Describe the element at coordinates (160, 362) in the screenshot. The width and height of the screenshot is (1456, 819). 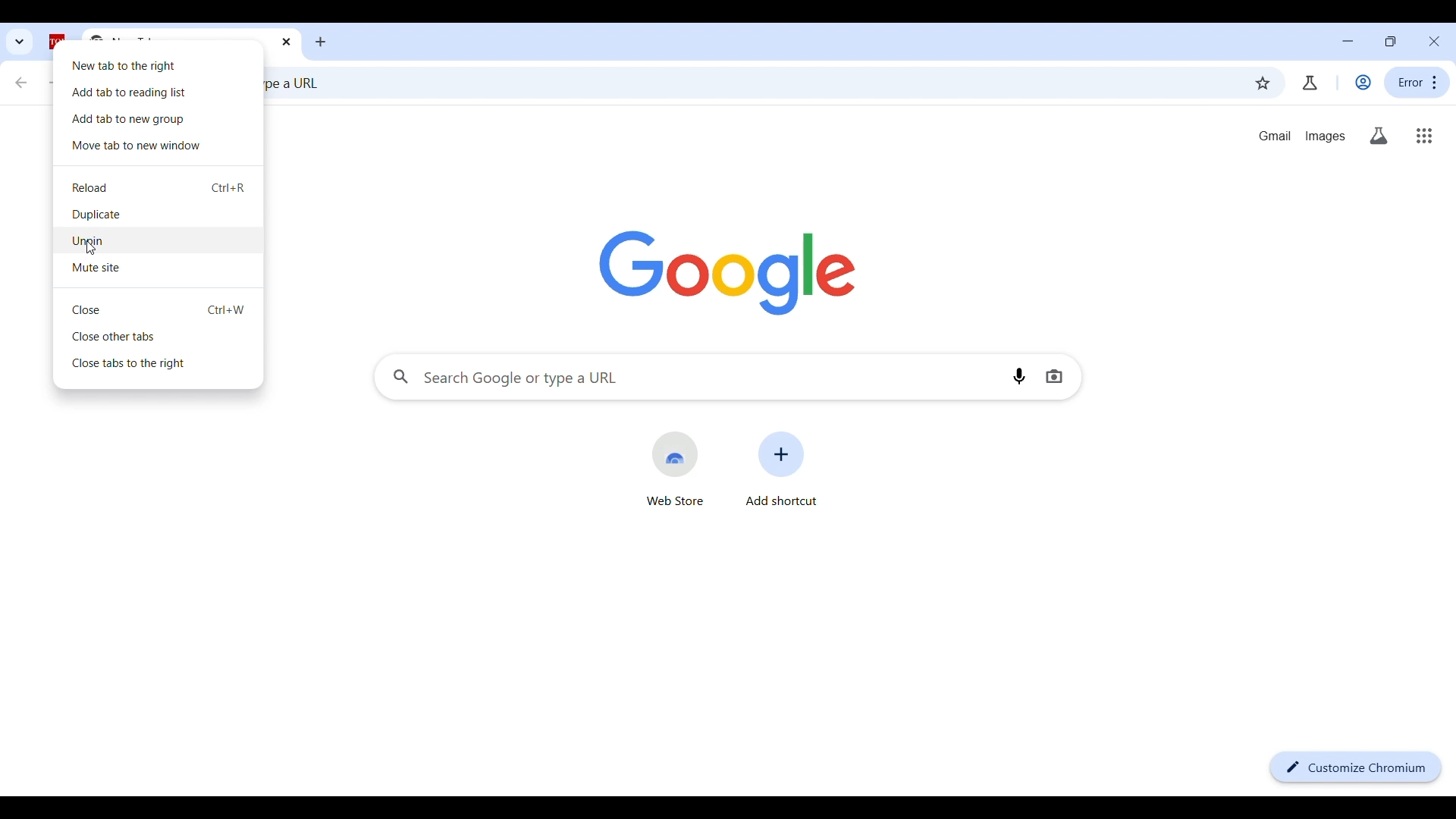
I see `Close tabs to the right` at that location.